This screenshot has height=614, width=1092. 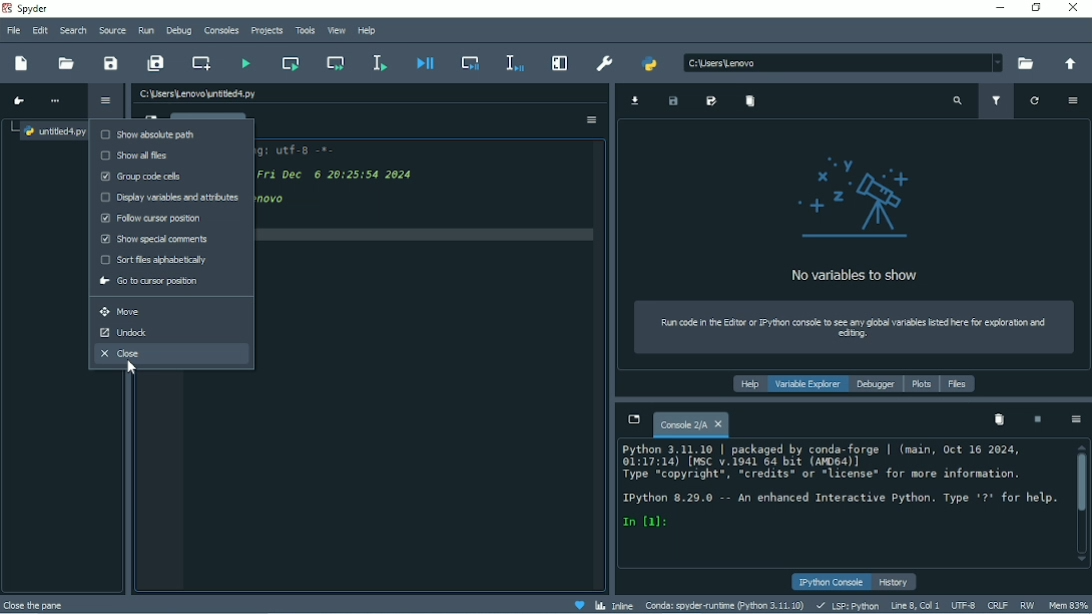 I want to click on Remove all variables, so click(x=751, y=101).